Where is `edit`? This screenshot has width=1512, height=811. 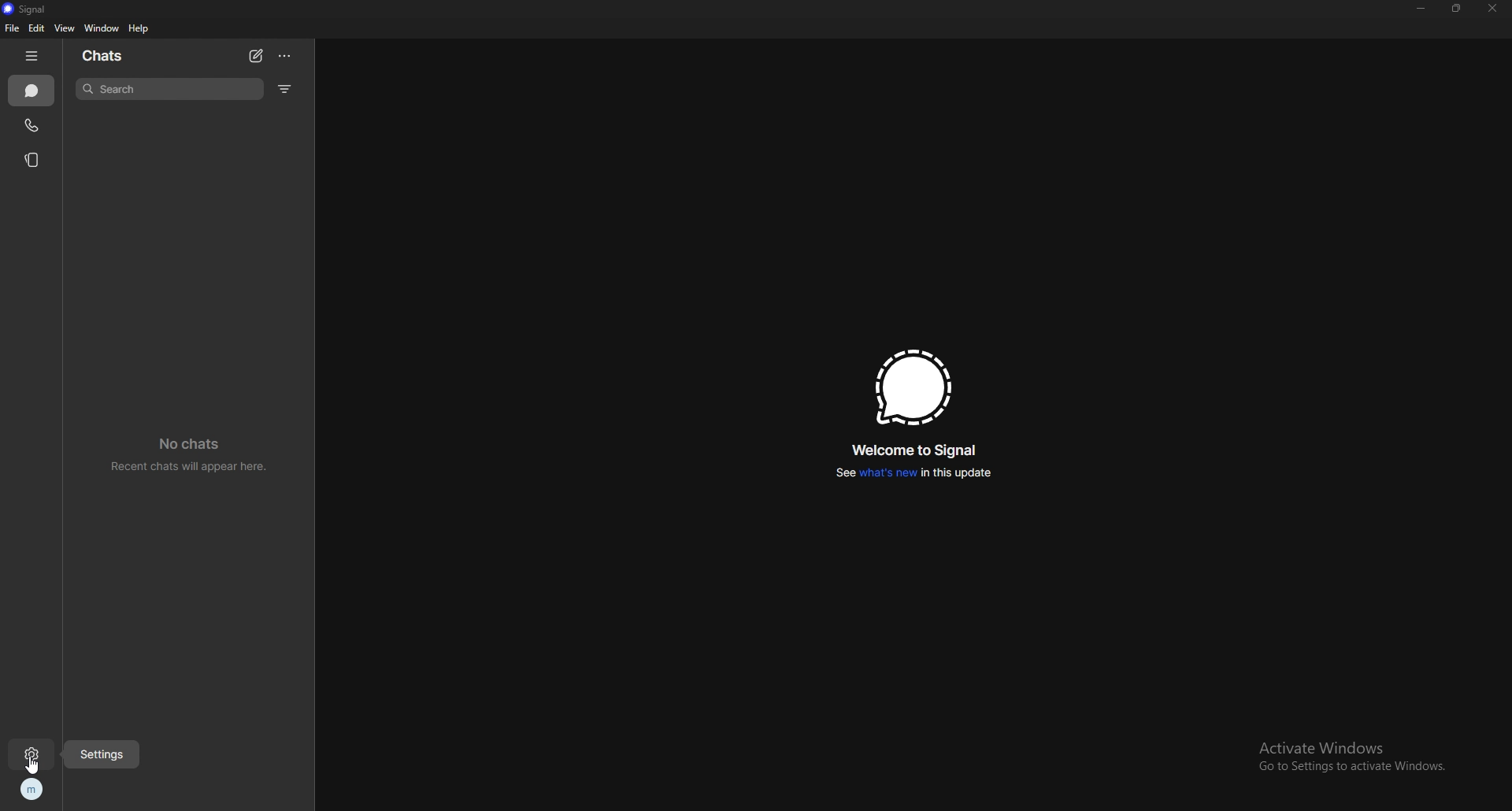
edit is located at coordinates (38, 28).